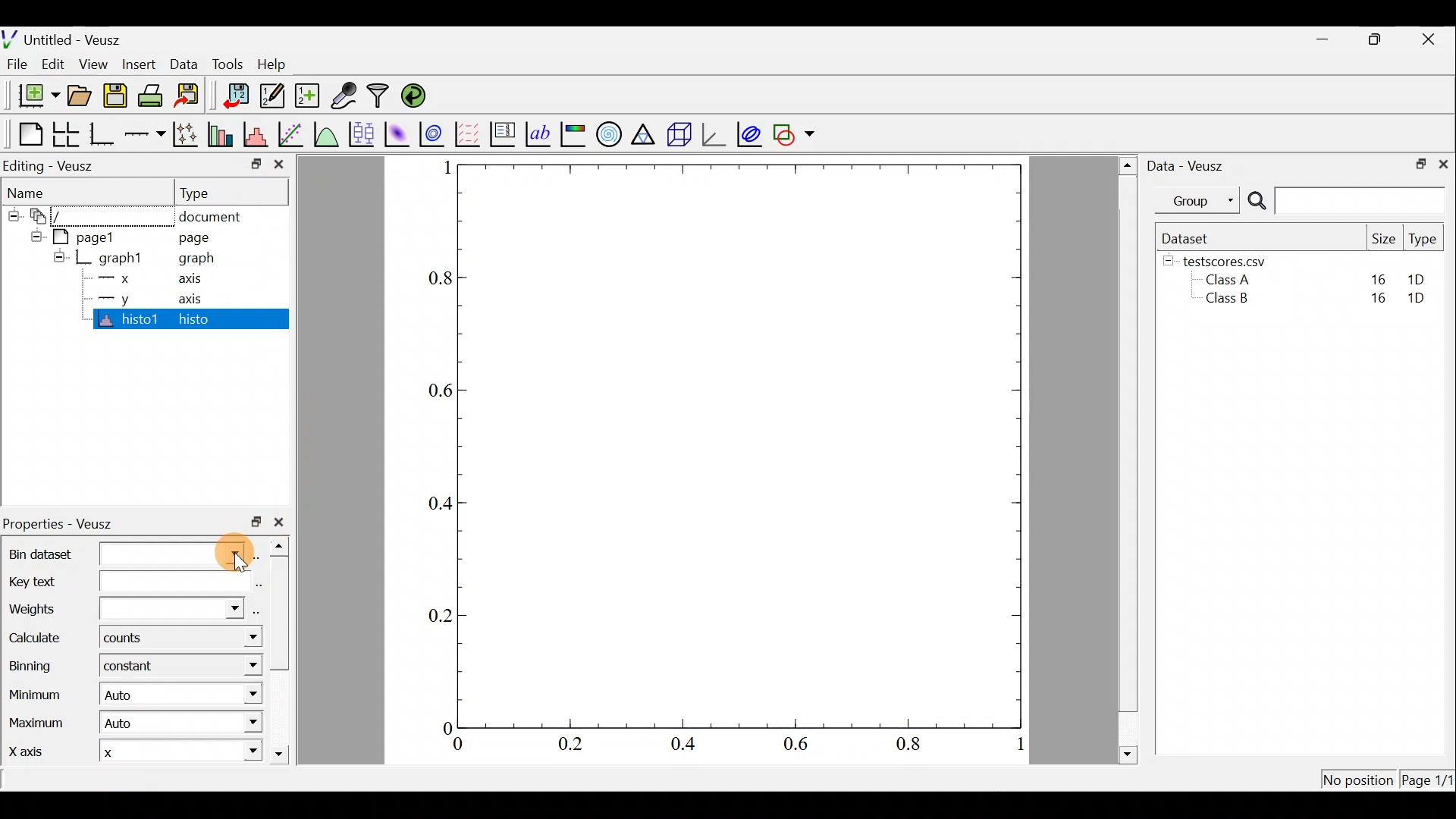  I want to click on Class A, so click(1232, 279).